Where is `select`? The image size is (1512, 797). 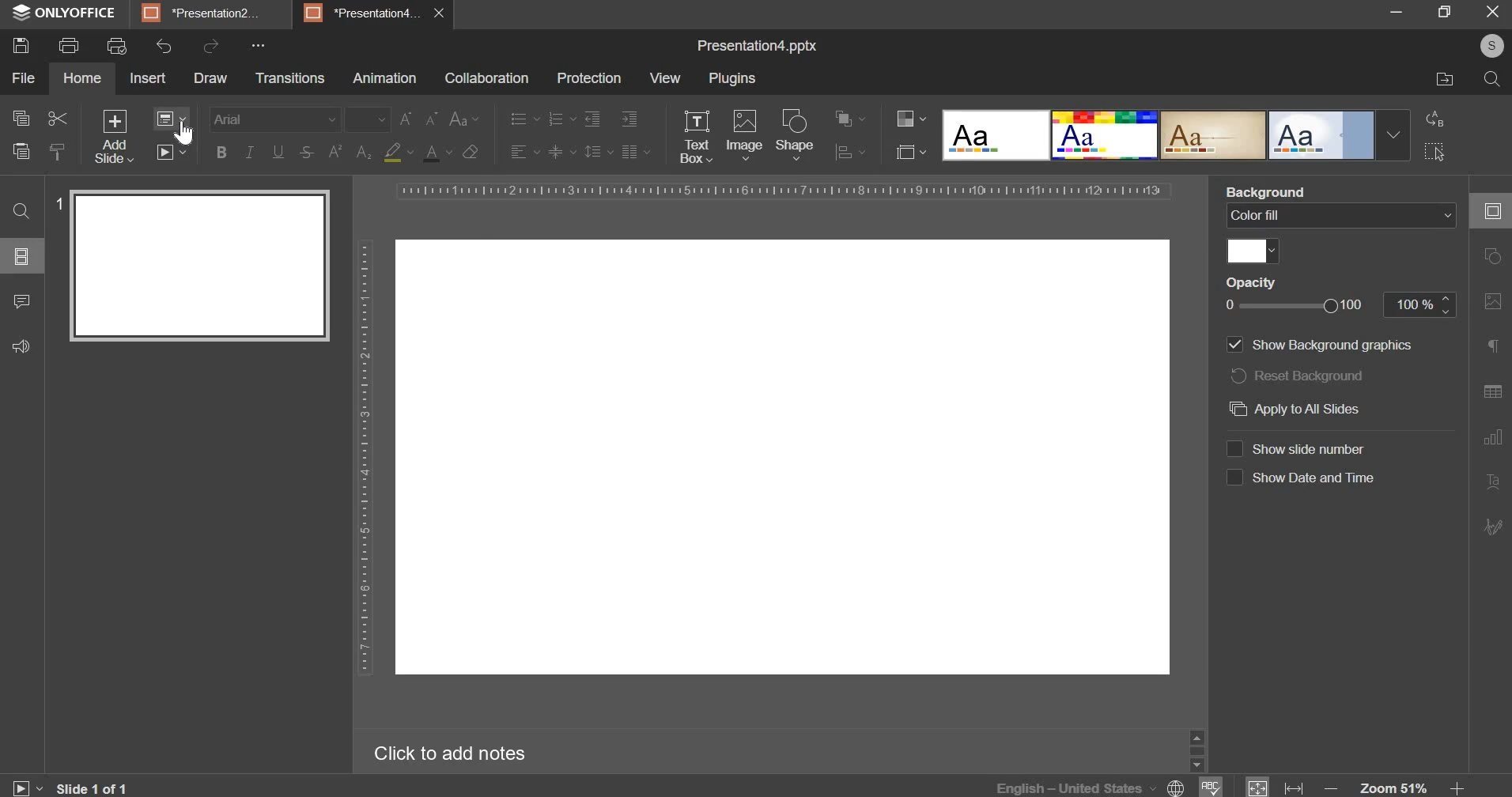 select is located at coordinates (1434, 150).